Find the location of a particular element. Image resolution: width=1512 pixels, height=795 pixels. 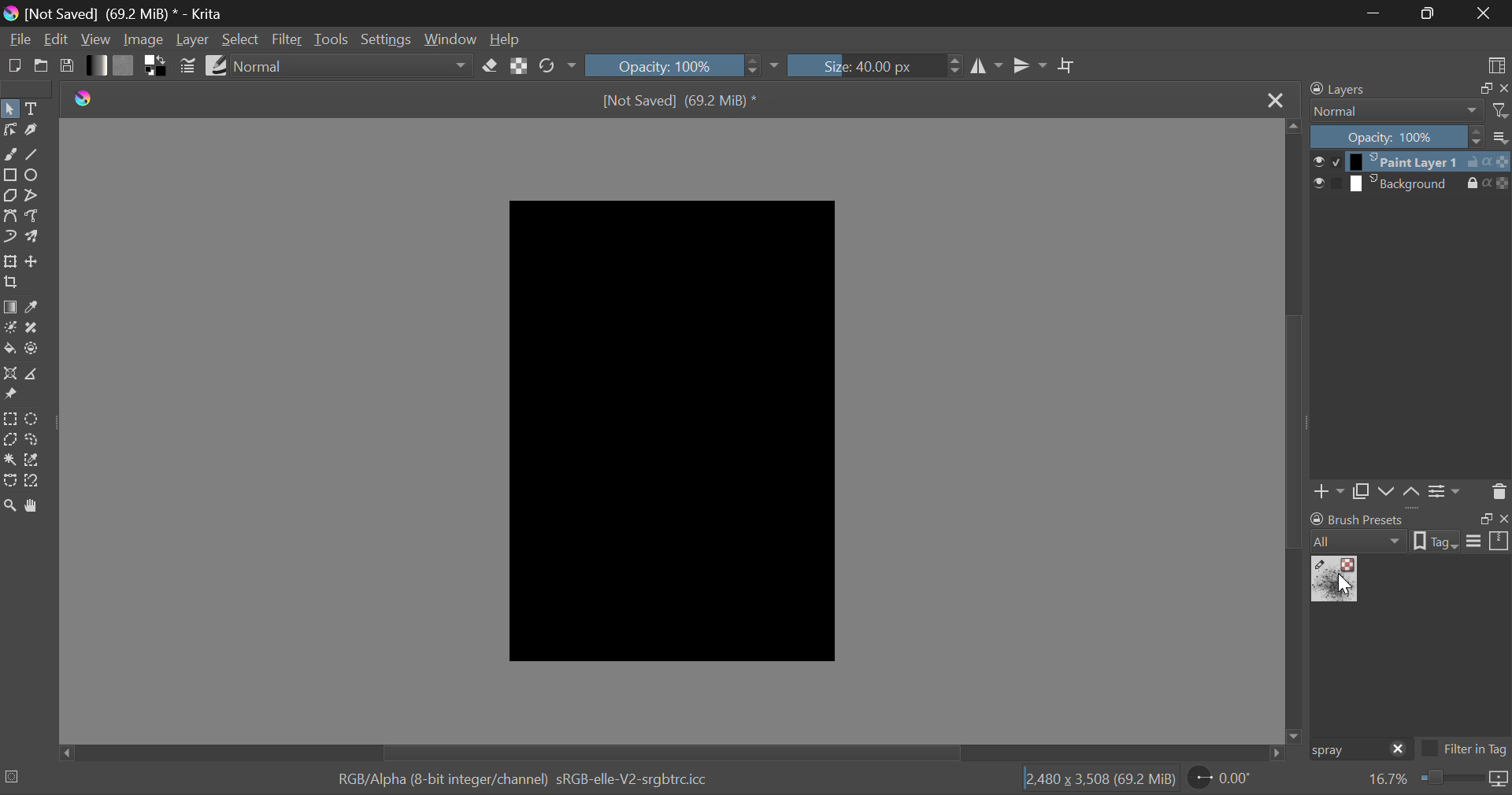

Close is located at coordinates (1484, 13).